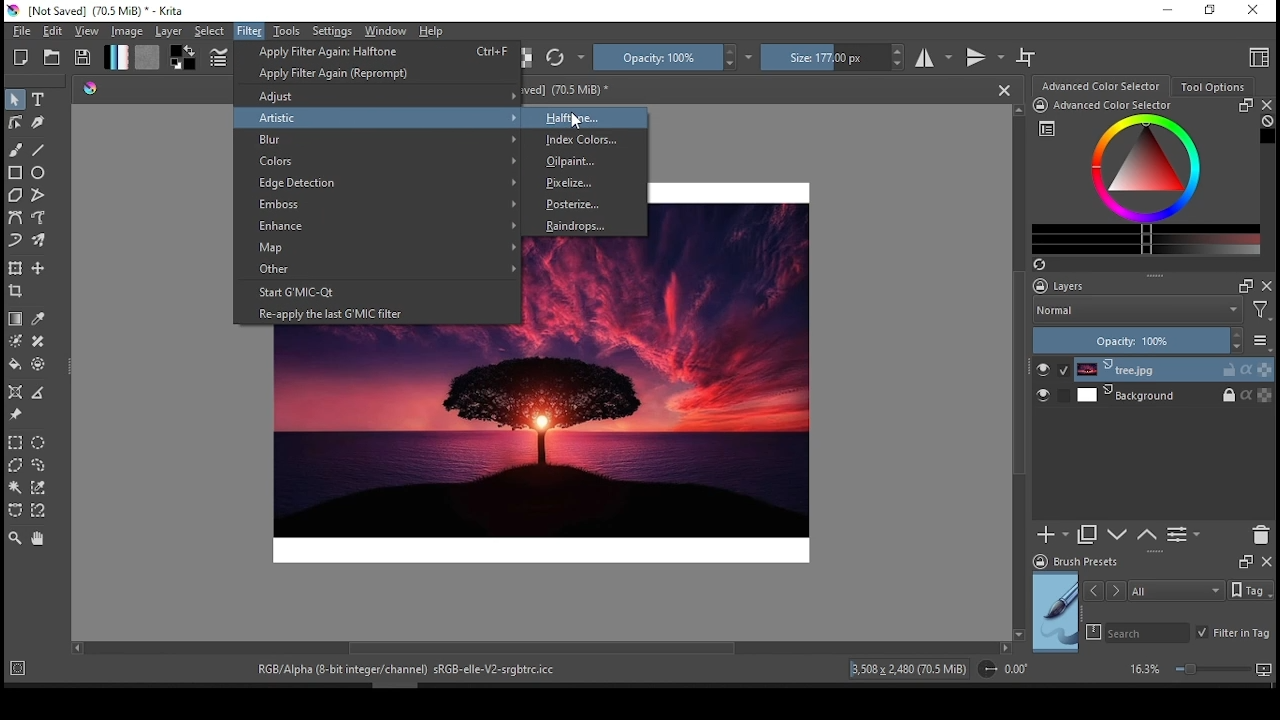  I want to click on pan tool, so click(38, 538).